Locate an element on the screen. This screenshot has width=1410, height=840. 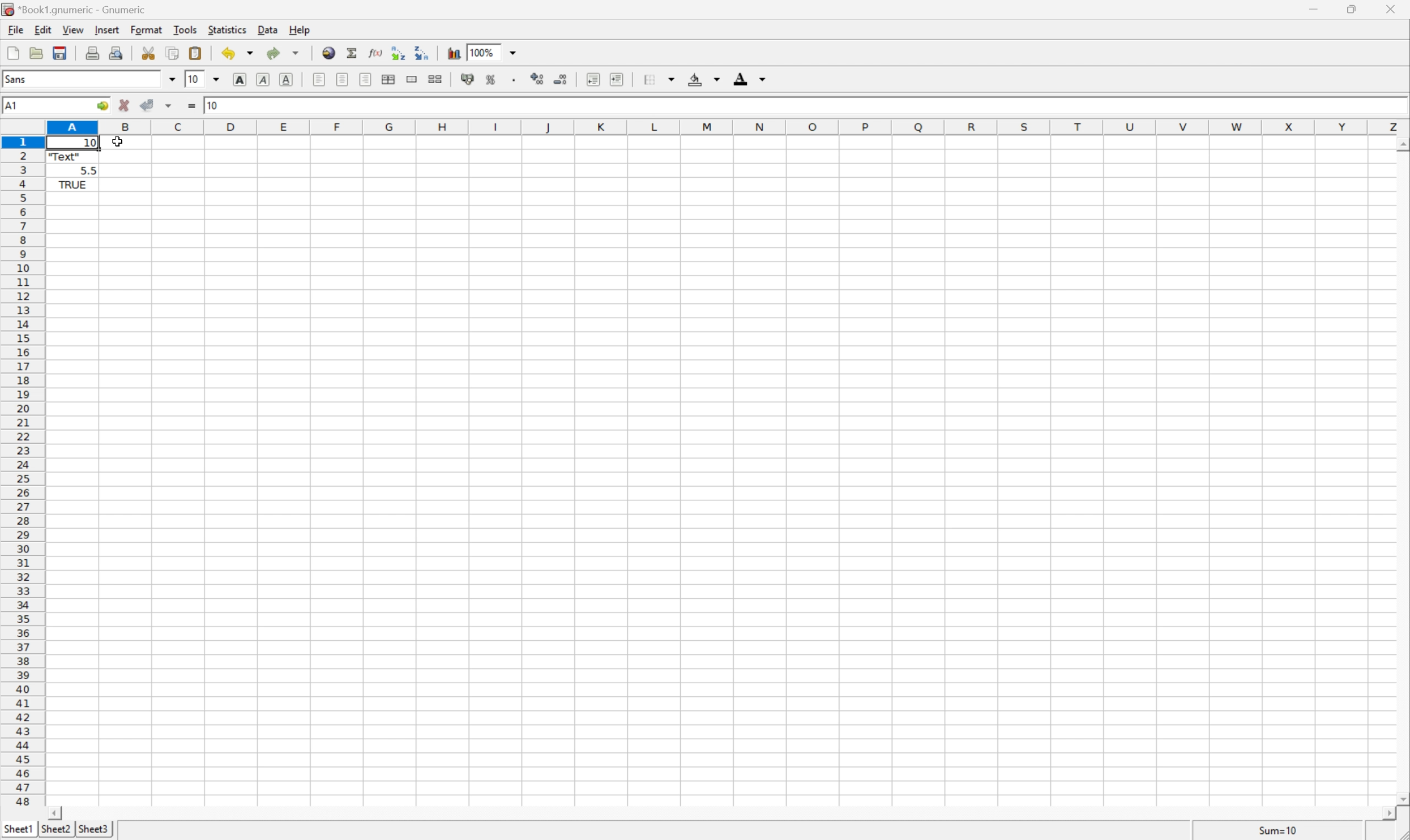
Column names is located at coordinates (727, 127).